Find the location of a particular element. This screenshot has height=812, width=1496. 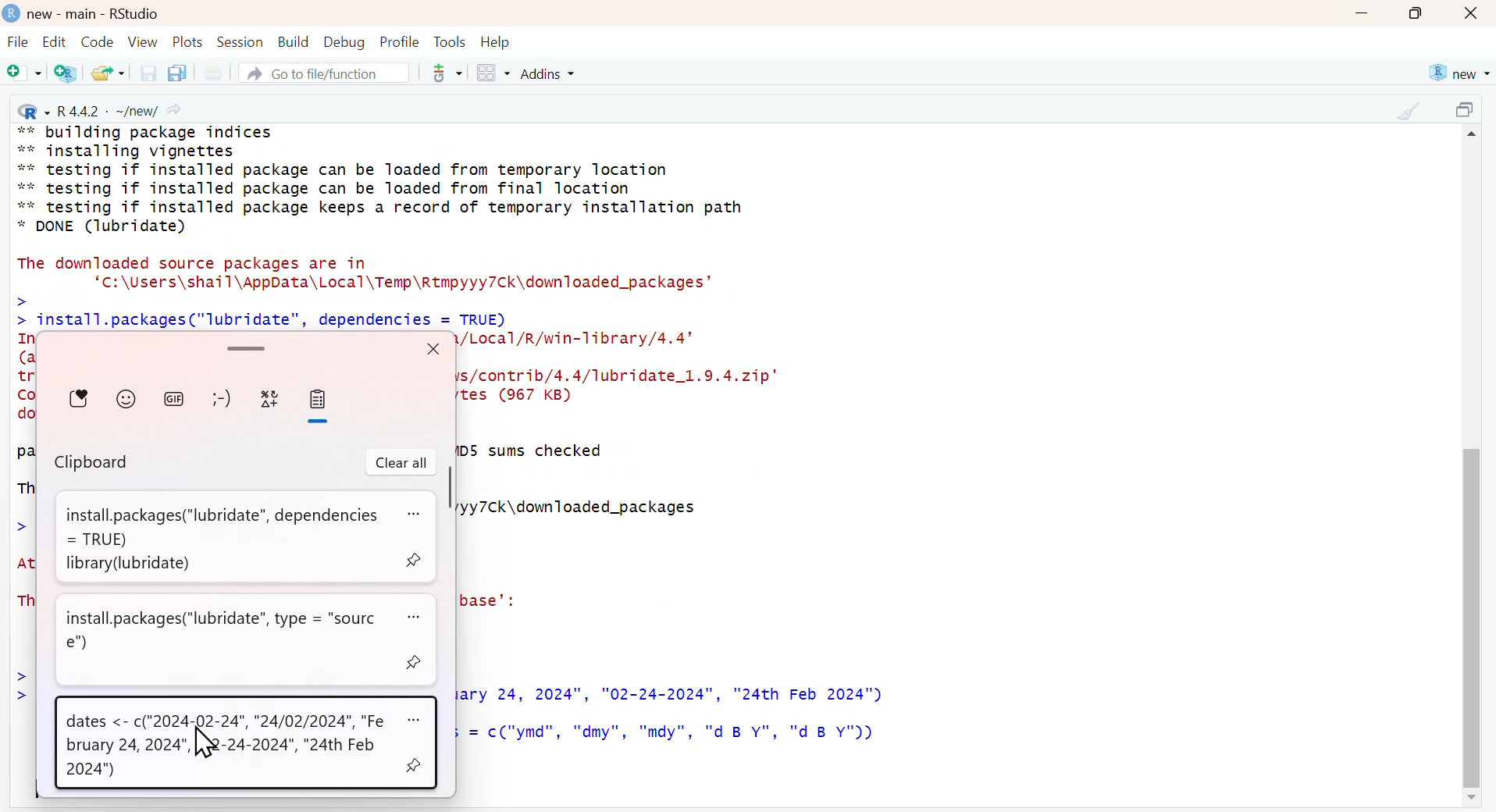

minimize is located at coordinates (1361, 15).